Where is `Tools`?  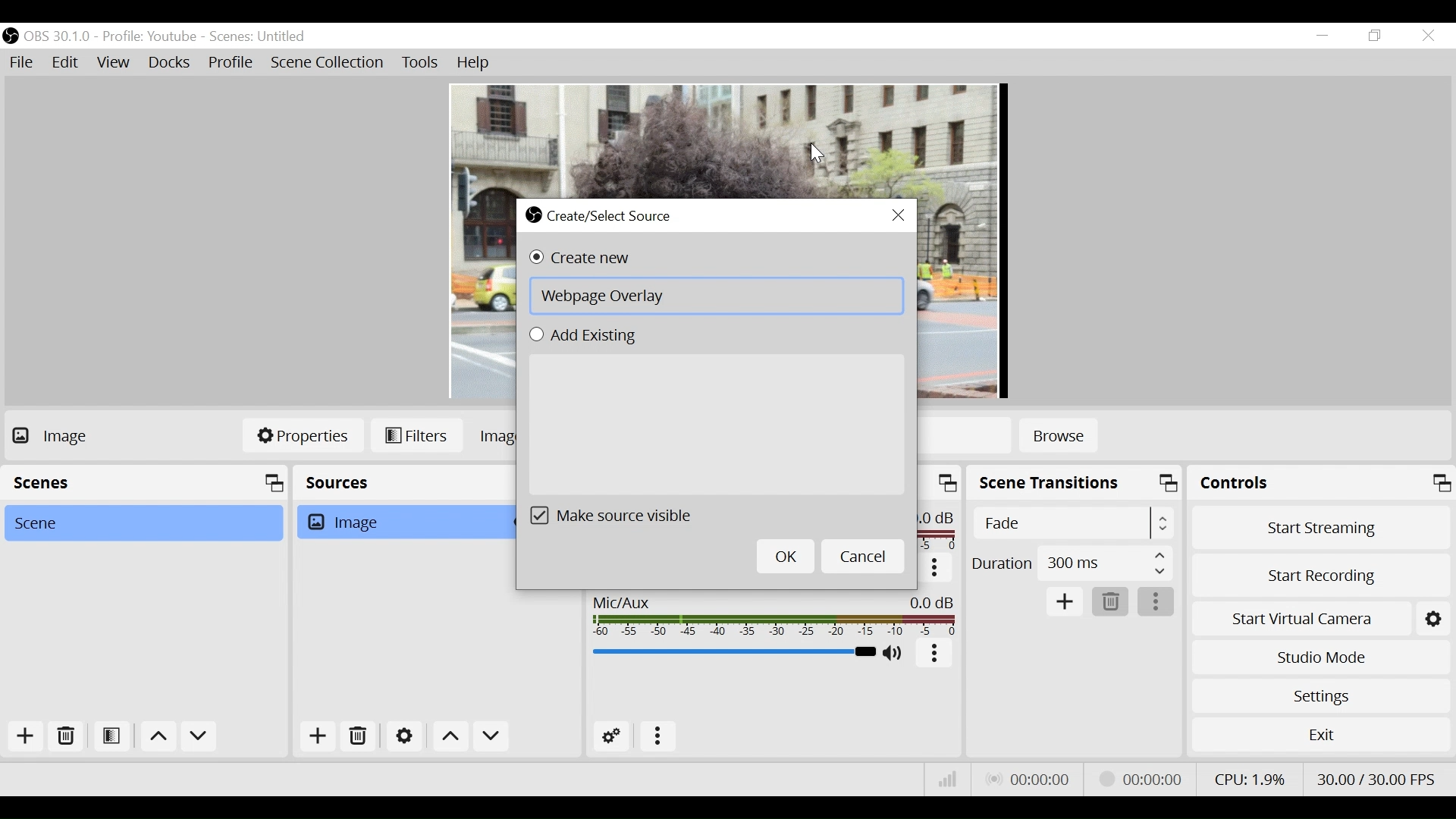 Tools is located at coordinates (422, 64).